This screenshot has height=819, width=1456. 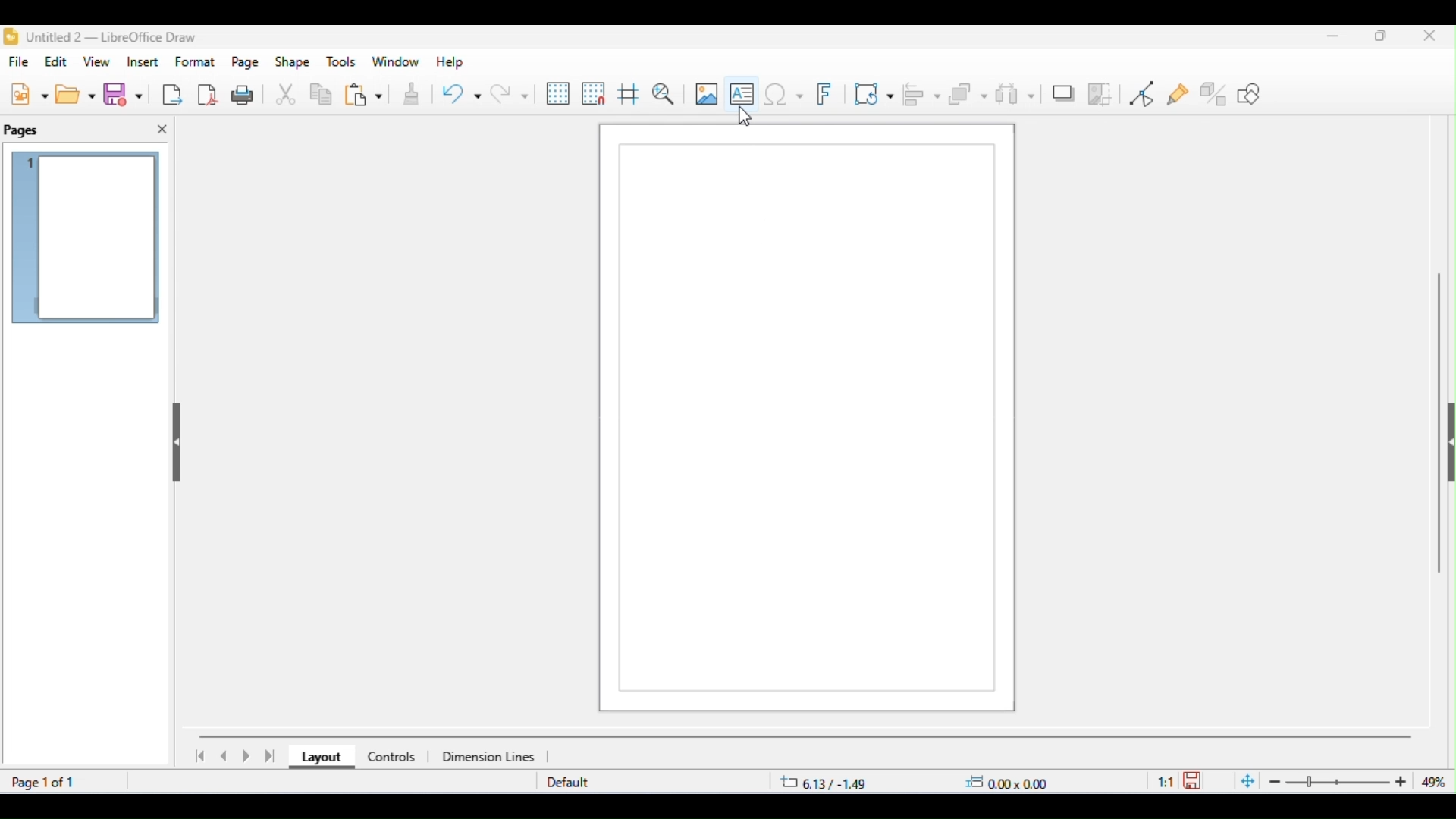 I want to click on insert text box, so click(x=742, y=91).